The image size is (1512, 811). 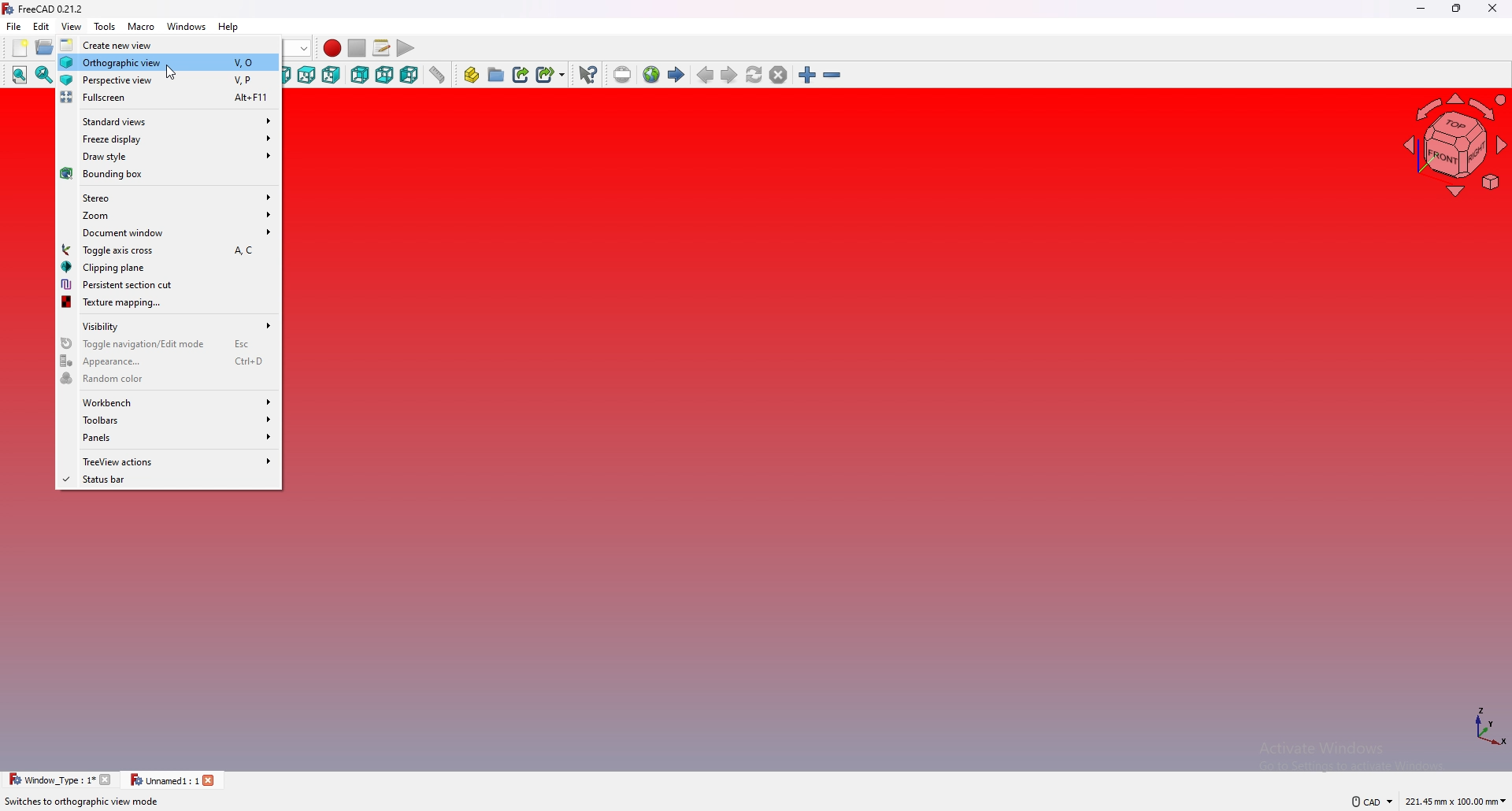 What do you see at coordinates (168, 285) in the screenshot?
I see `persistent section cut` at bounding box center [168, 285].